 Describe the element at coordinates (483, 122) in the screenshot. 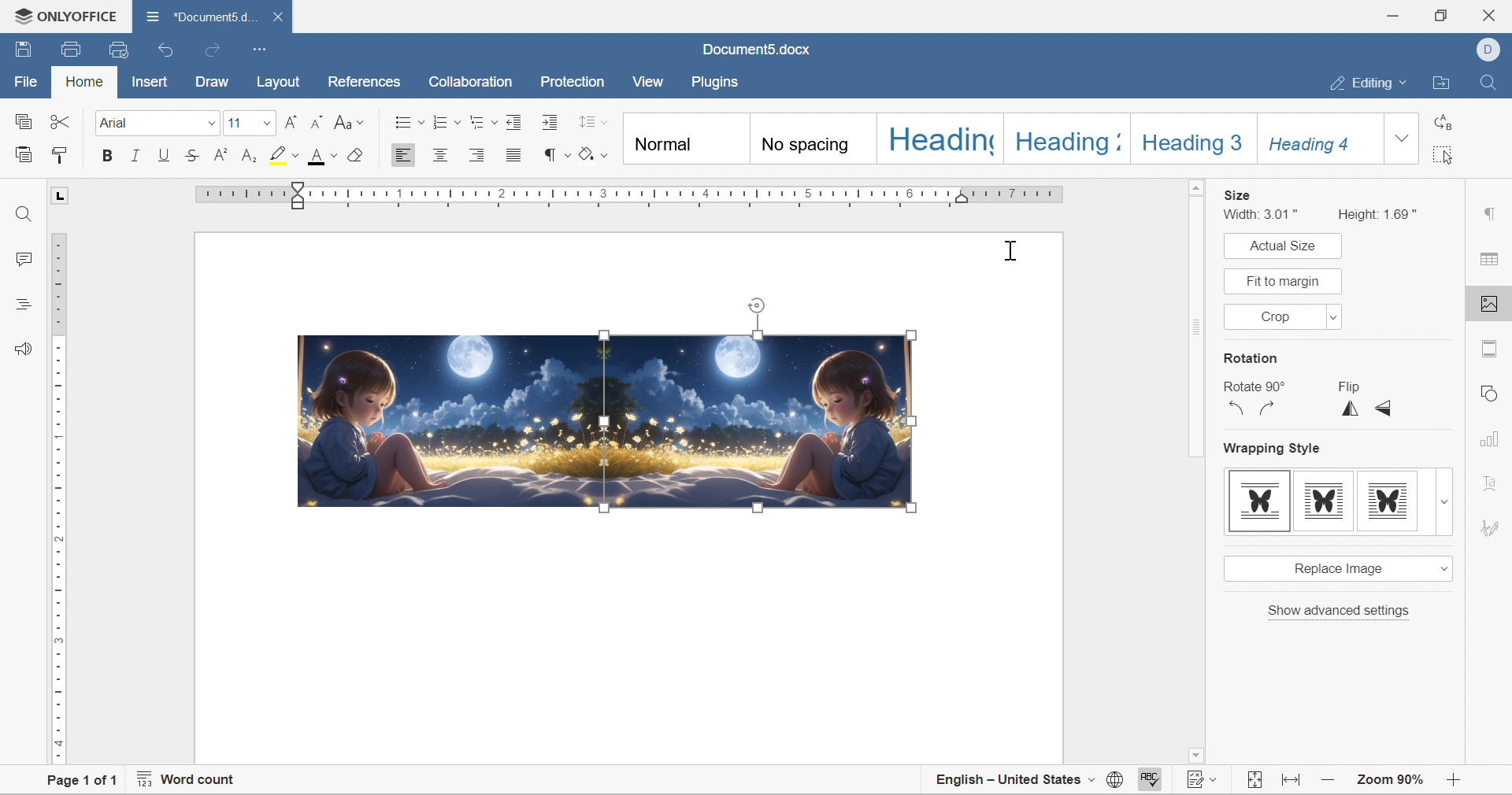

I see `multilevel list` at that location.